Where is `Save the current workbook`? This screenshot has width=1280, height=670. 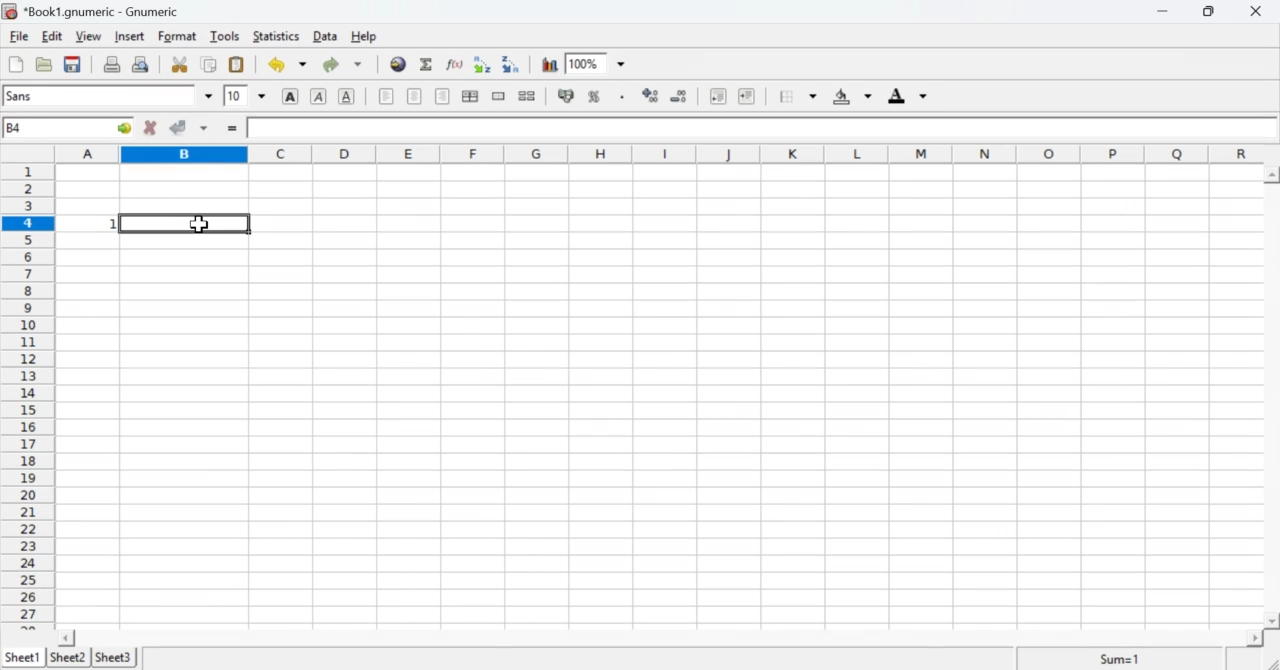
Save the current workbook is located at coordinates (74, 64).